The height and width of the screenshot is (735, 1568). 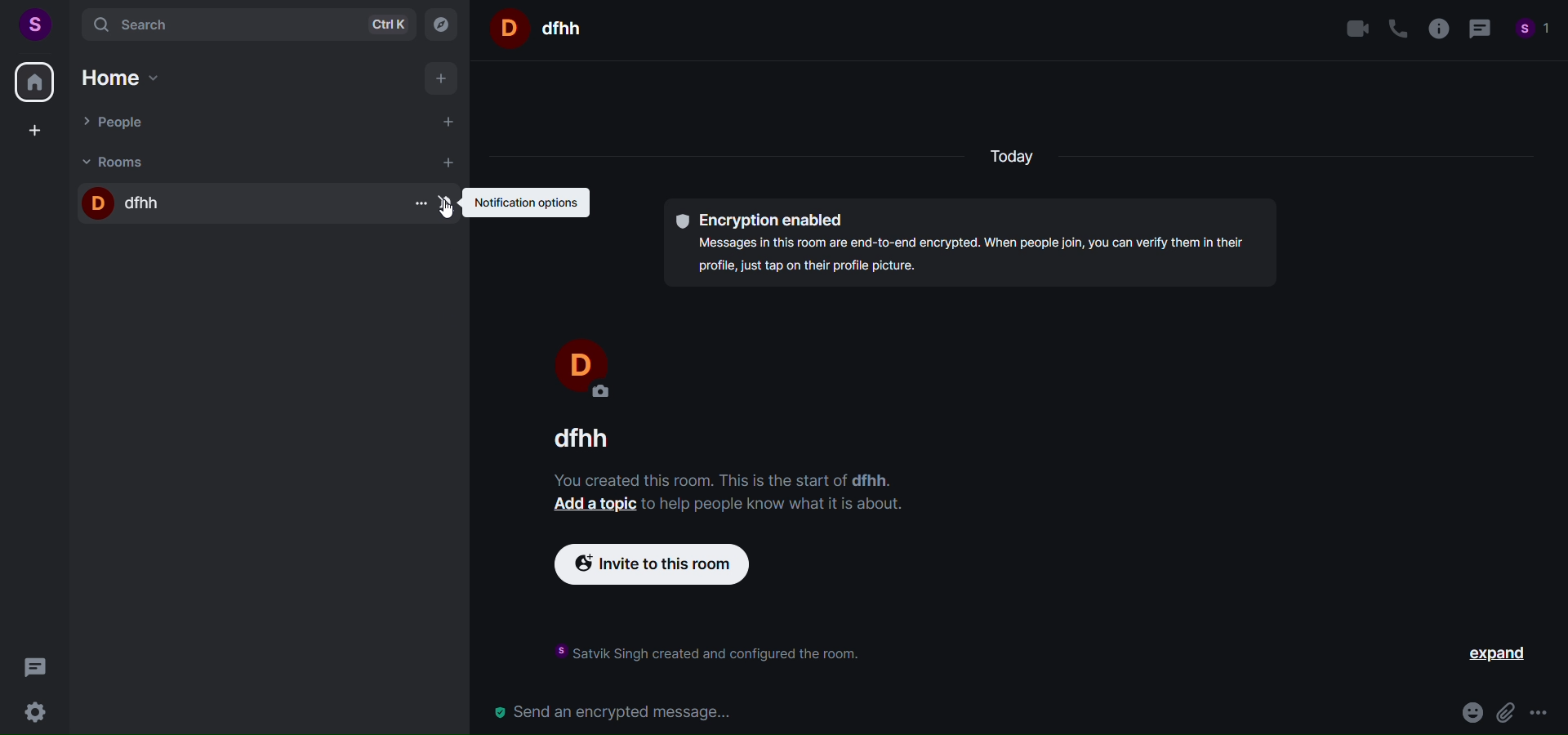 I want to click on call, so click(x=1396, y=26).